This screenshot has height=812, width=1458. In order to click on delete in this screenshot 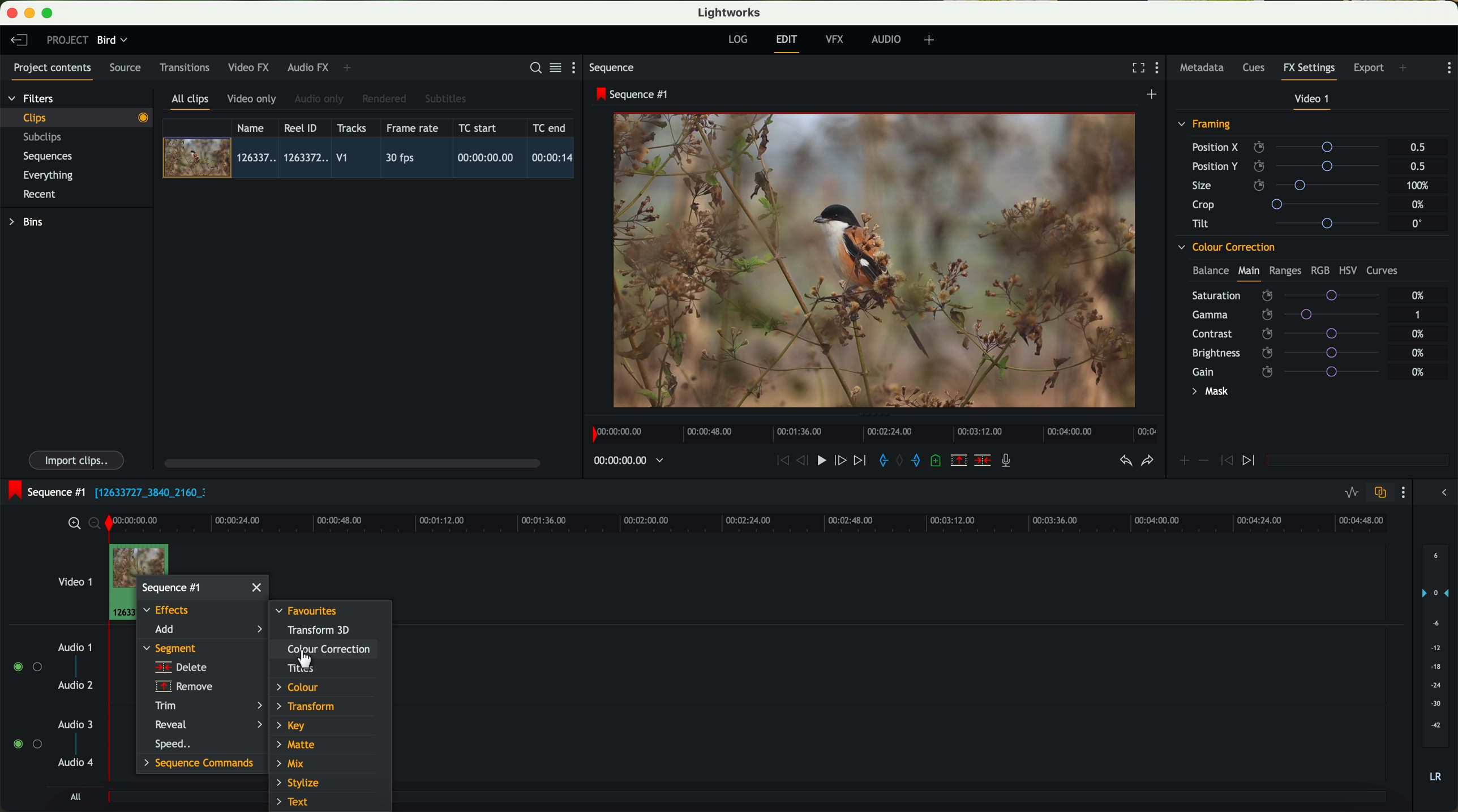, I will do `click(182, 668)`.